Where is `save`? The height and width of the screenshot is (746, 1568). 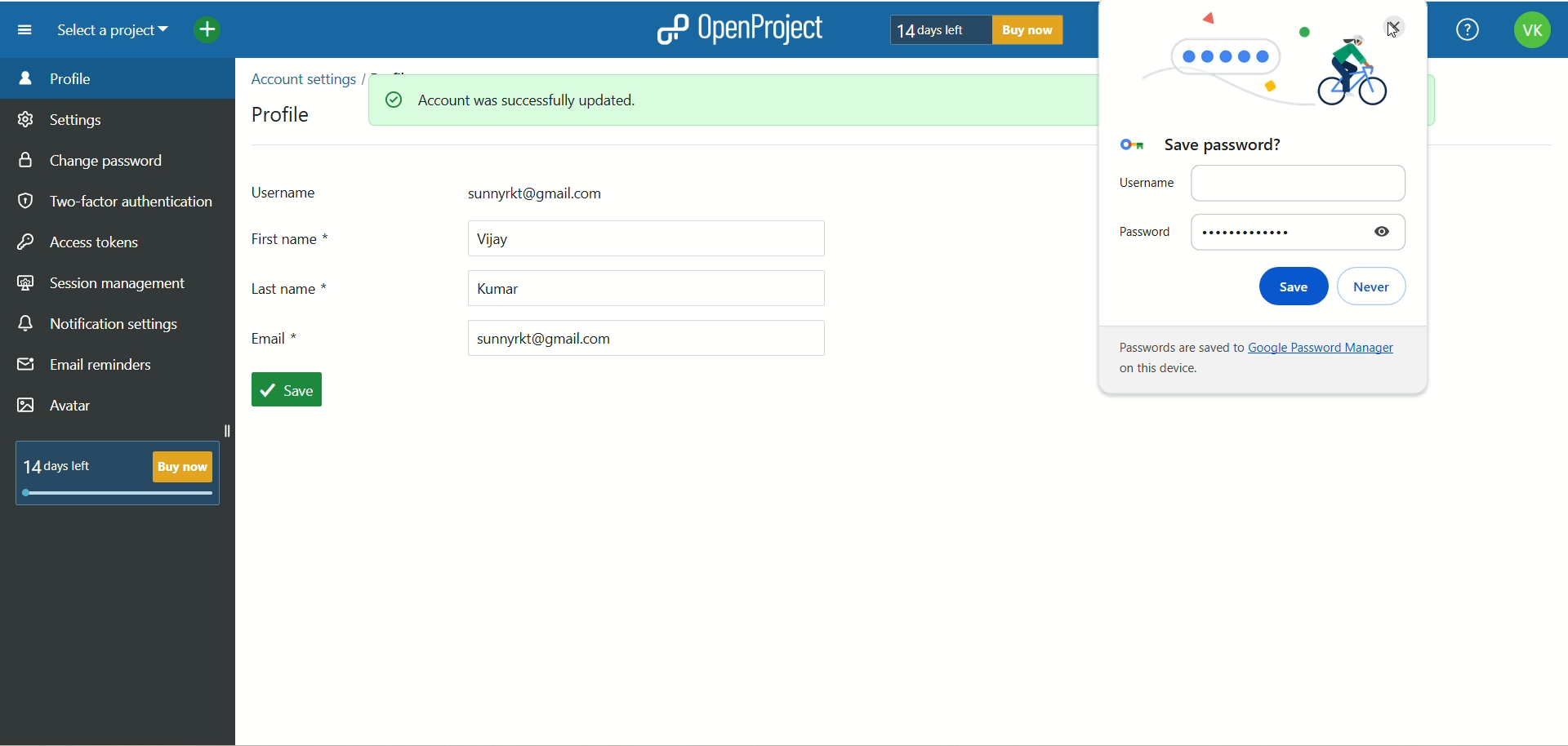 save is located at coordinates (292, 391).